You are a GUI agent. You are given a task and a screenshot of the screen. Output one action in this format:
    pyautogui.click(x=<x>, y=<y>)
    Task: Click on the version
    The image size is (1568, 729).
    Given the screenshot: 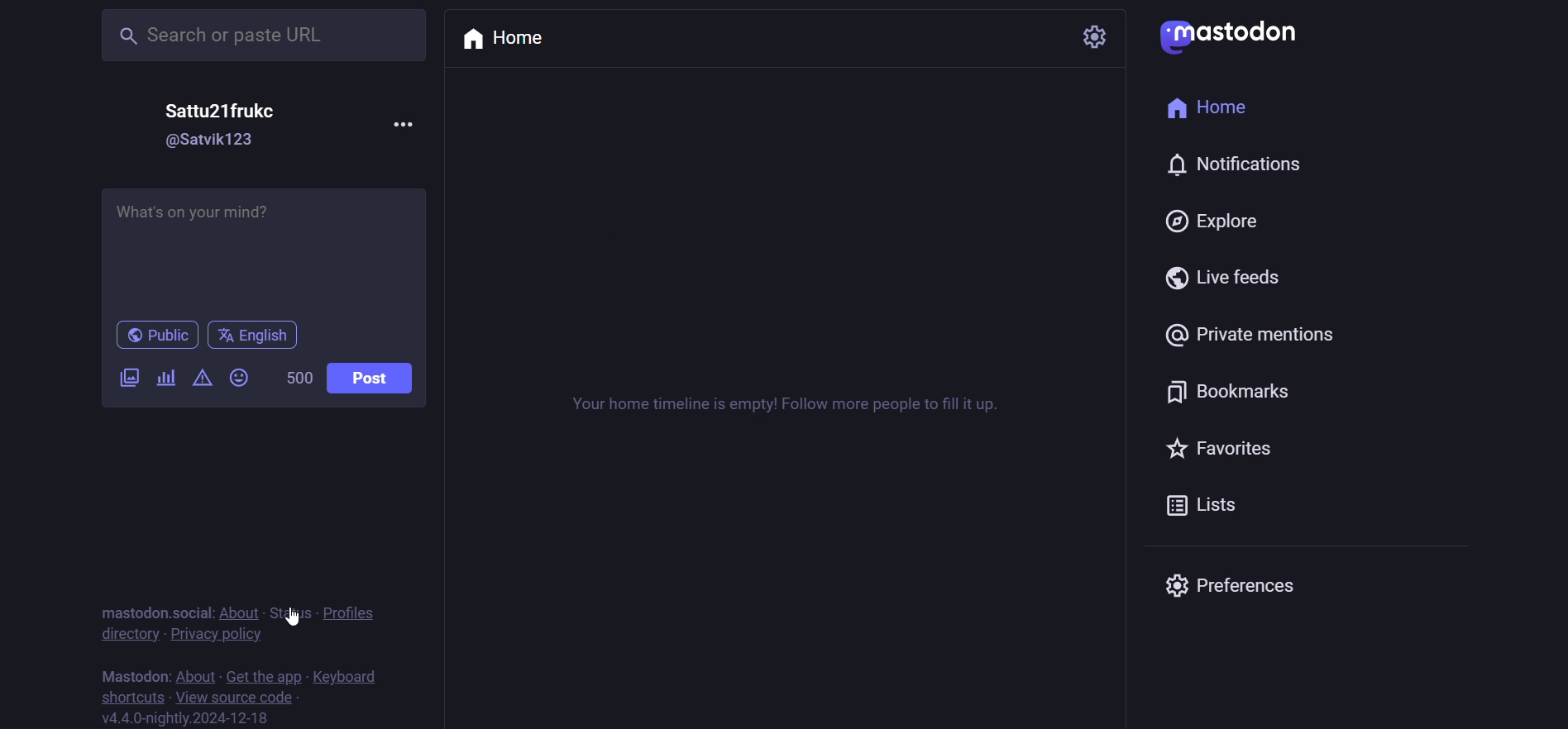 What is the action you would take?
    pyautogui.click(x=194, y=717)
    